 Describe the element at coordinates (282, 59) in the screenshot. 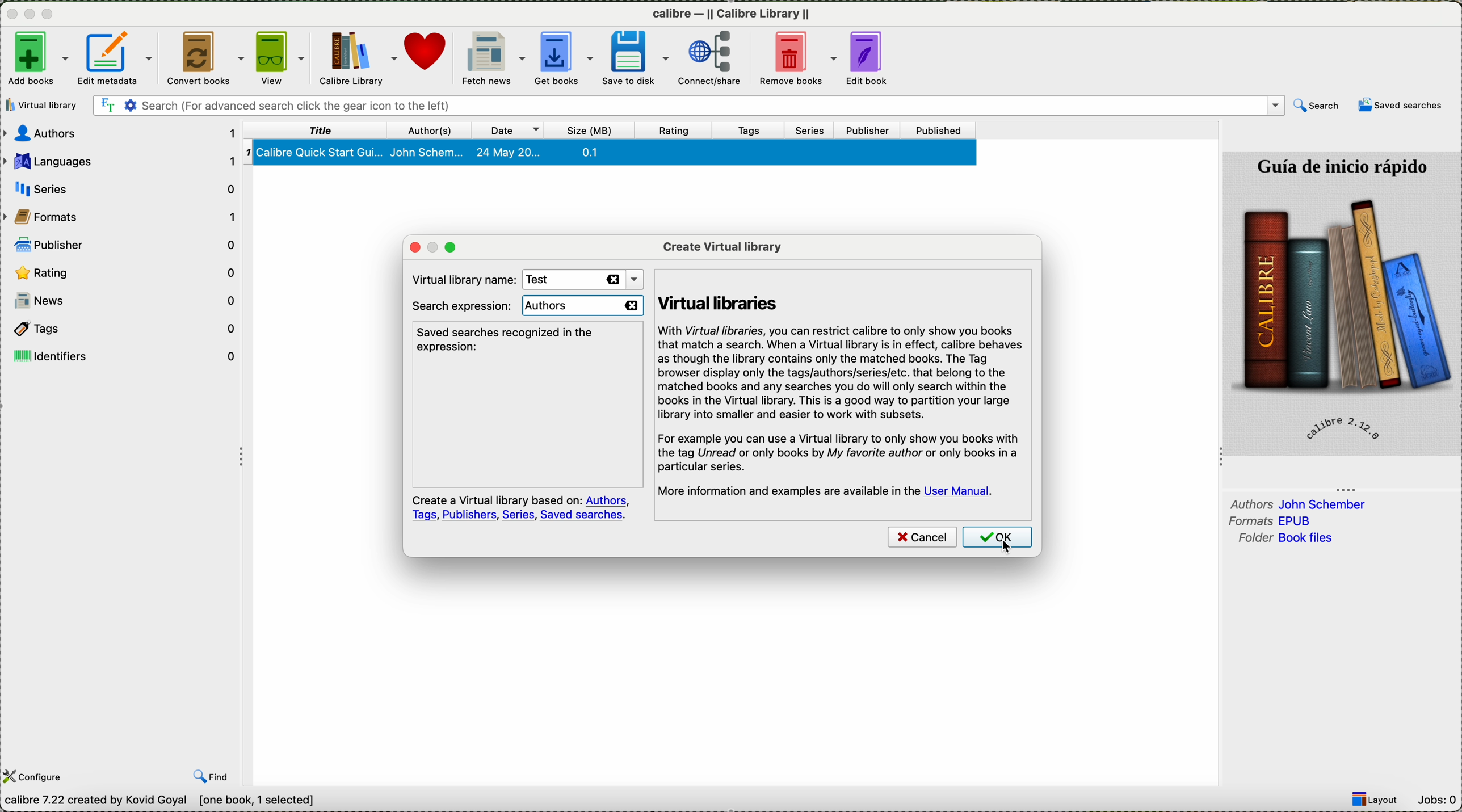

I see `view` at that location.